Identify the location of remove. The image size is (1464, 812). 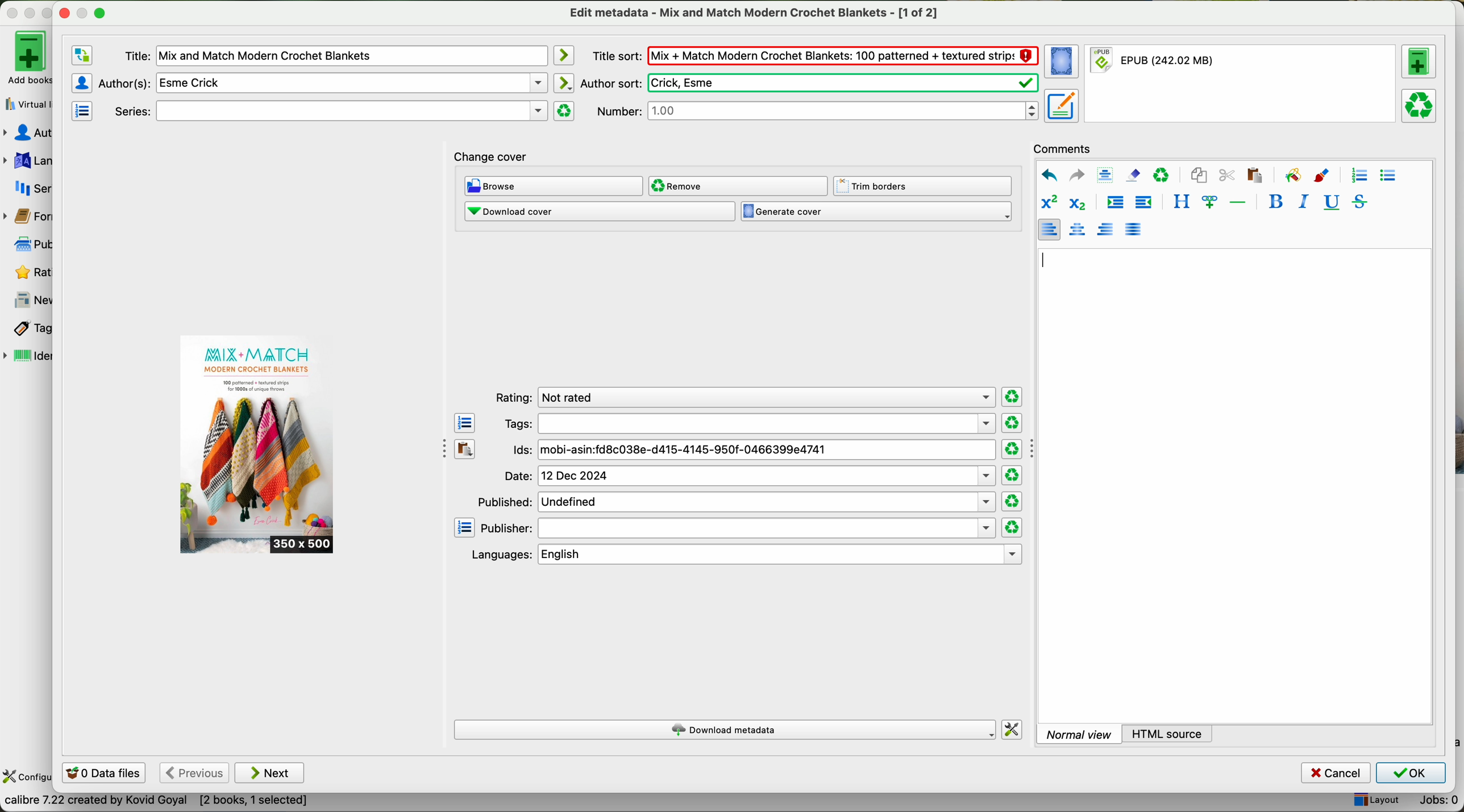
(737, 186).